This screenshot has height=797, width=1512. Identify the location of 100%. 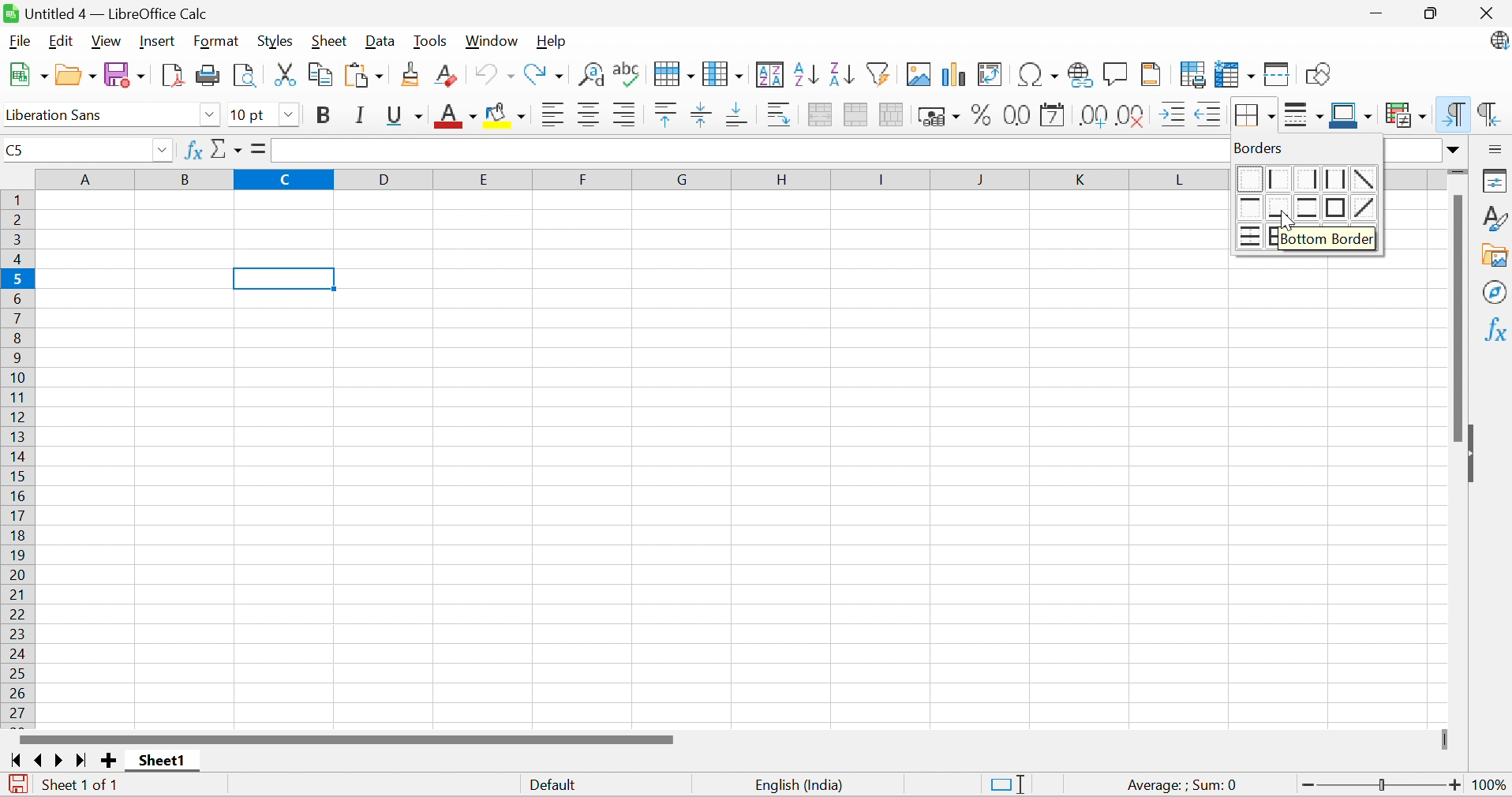
(1492, 788).